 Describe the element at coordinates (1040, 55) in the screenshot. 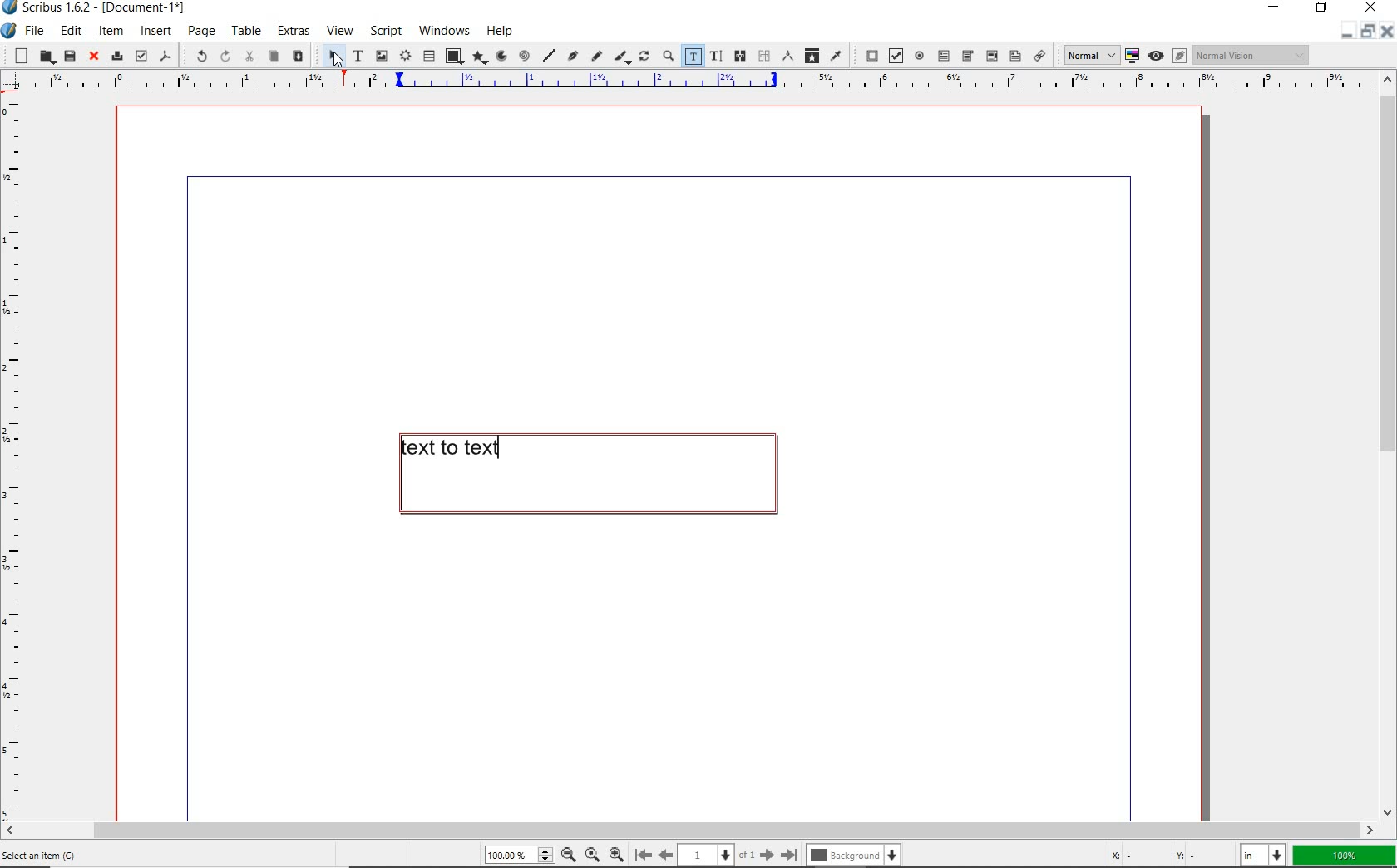

I see `link annotation` at that location.